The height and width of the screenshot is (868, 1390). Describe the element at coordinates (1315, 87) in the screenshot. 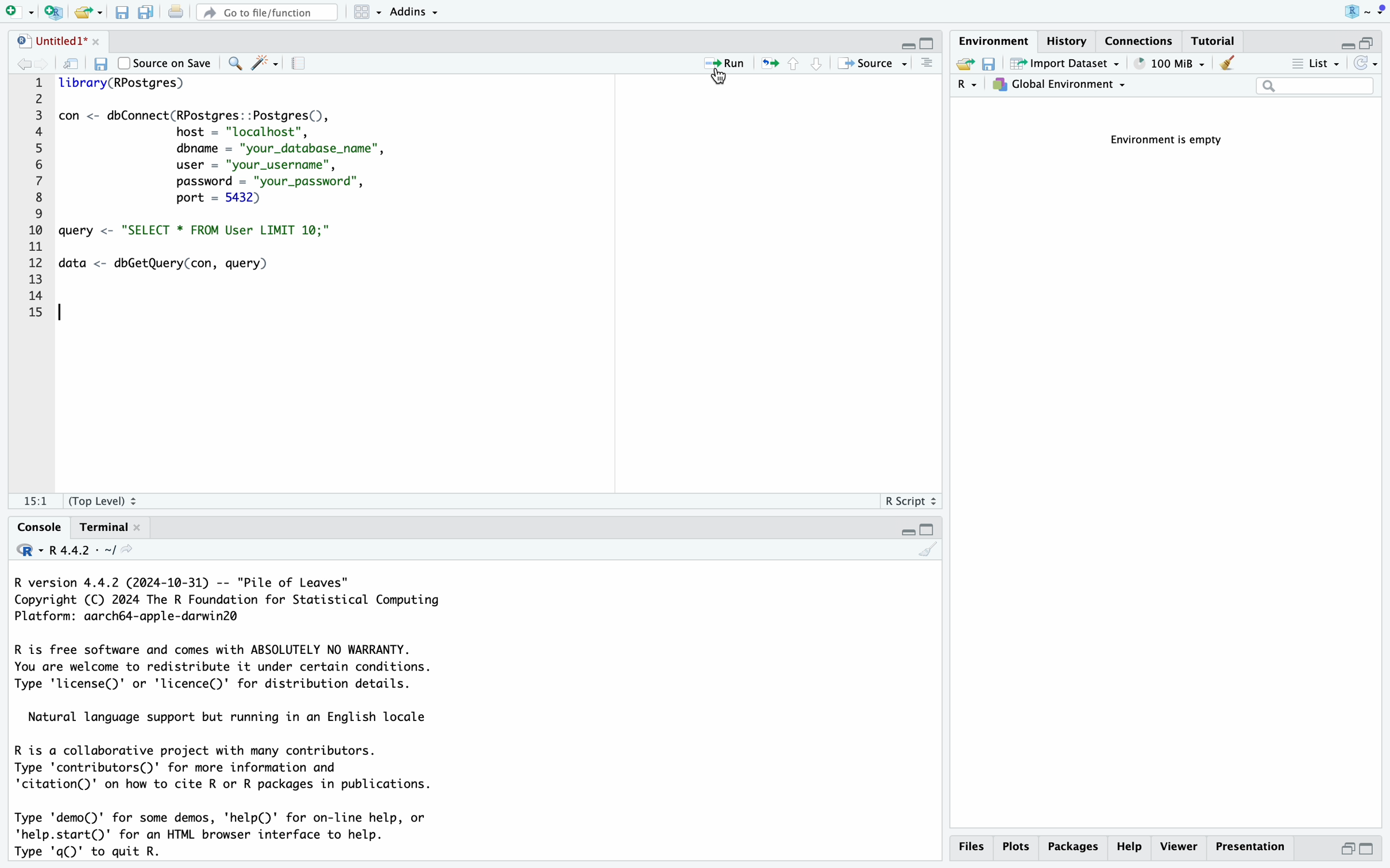

I see `search field` at that location.